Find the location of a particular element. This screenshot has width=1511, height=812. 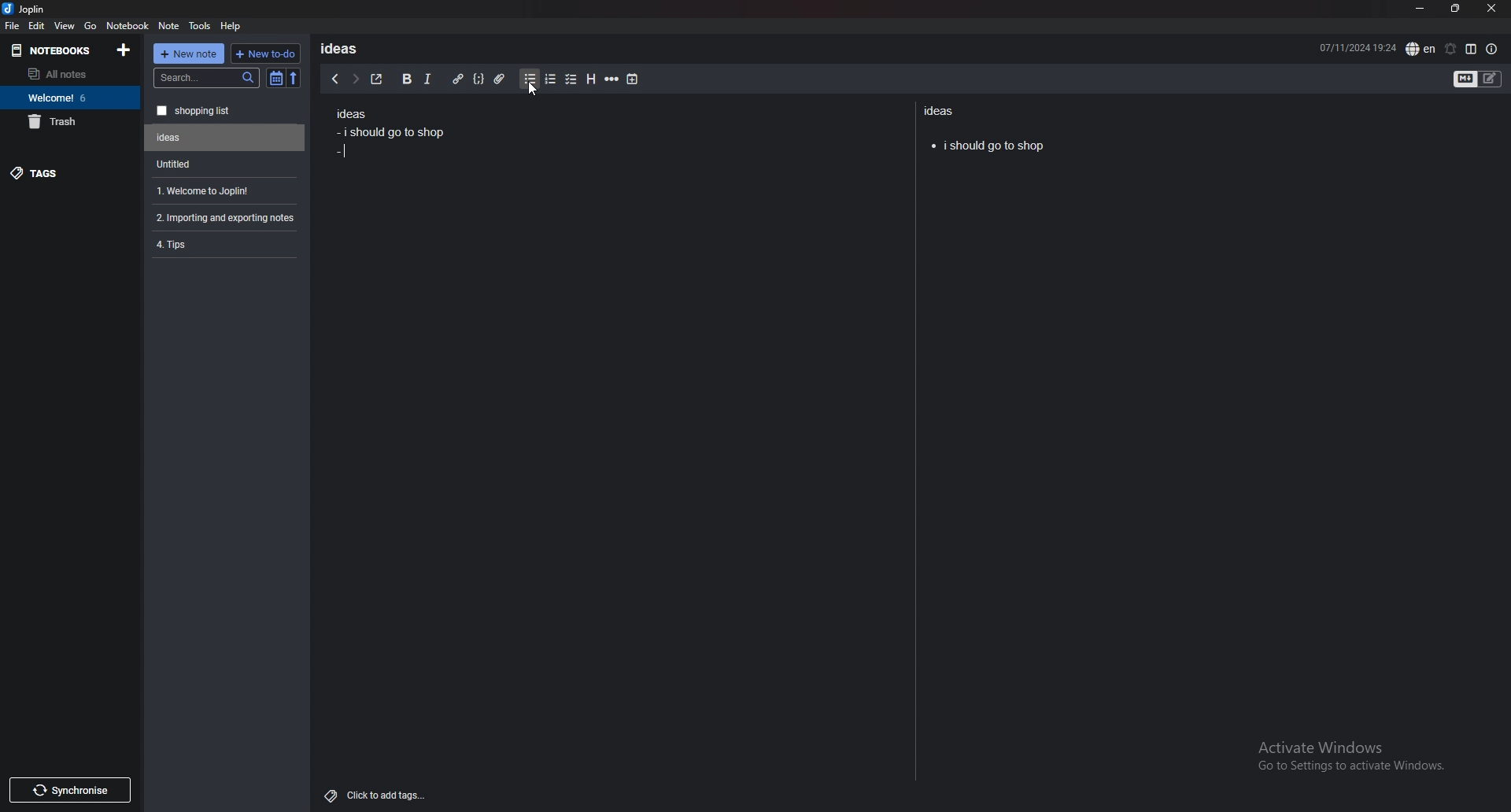

heading is located at coordinates (589, 79).